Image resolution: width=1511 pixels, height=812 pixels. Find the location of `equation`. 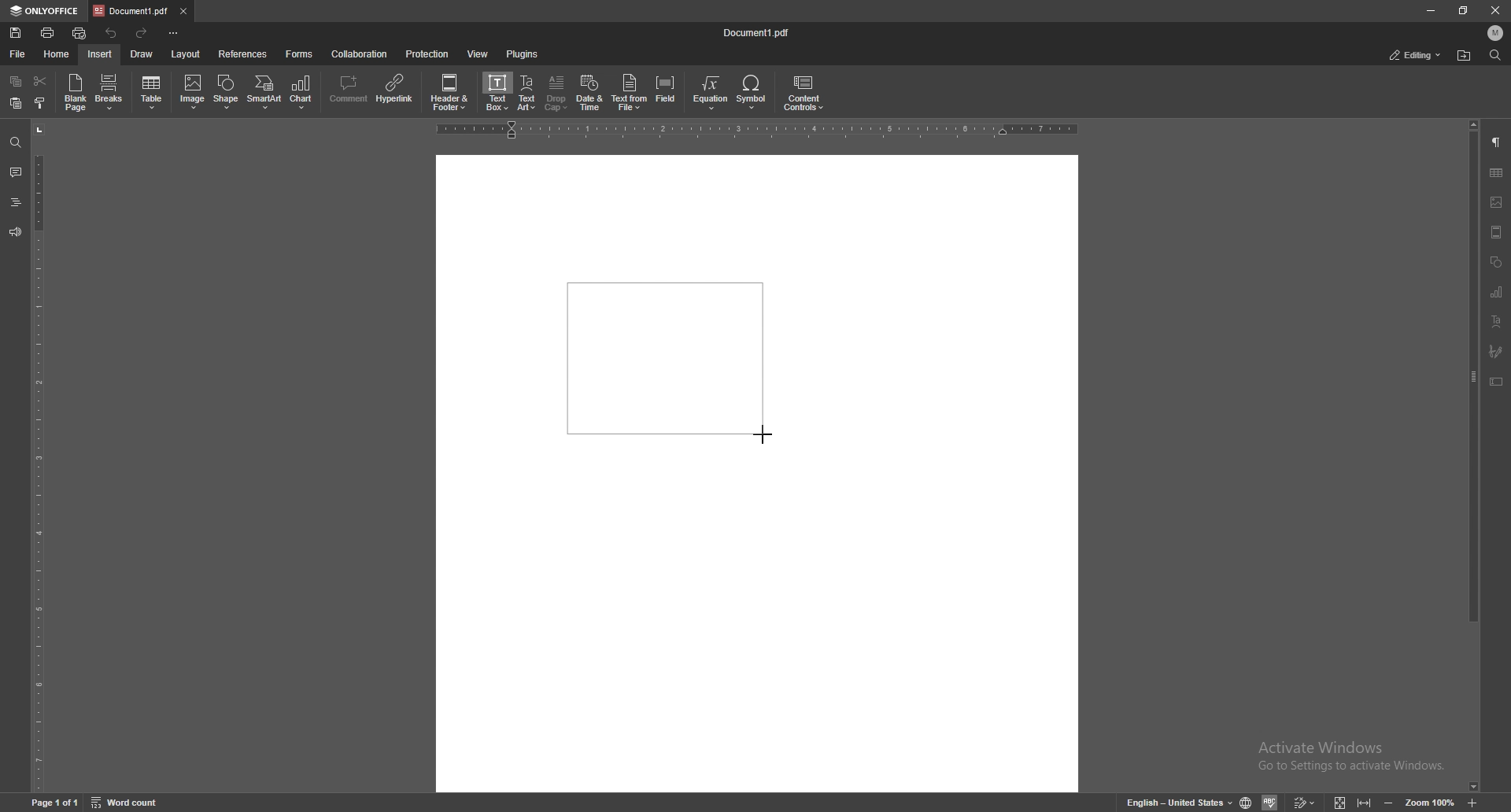

equation is located at coordinates (711, 93).